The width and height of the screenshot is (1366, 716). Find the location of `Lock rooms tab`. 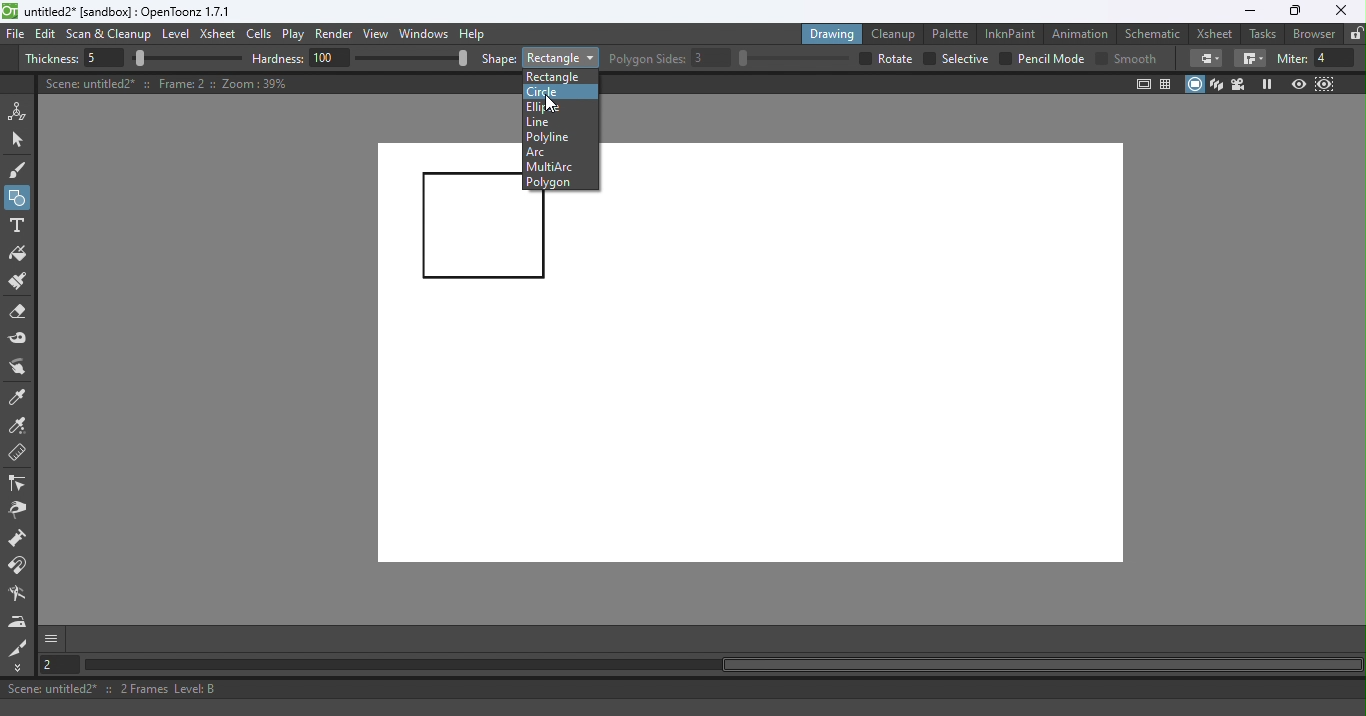

Lock rooms tab is located at coordinates (1356, 35).